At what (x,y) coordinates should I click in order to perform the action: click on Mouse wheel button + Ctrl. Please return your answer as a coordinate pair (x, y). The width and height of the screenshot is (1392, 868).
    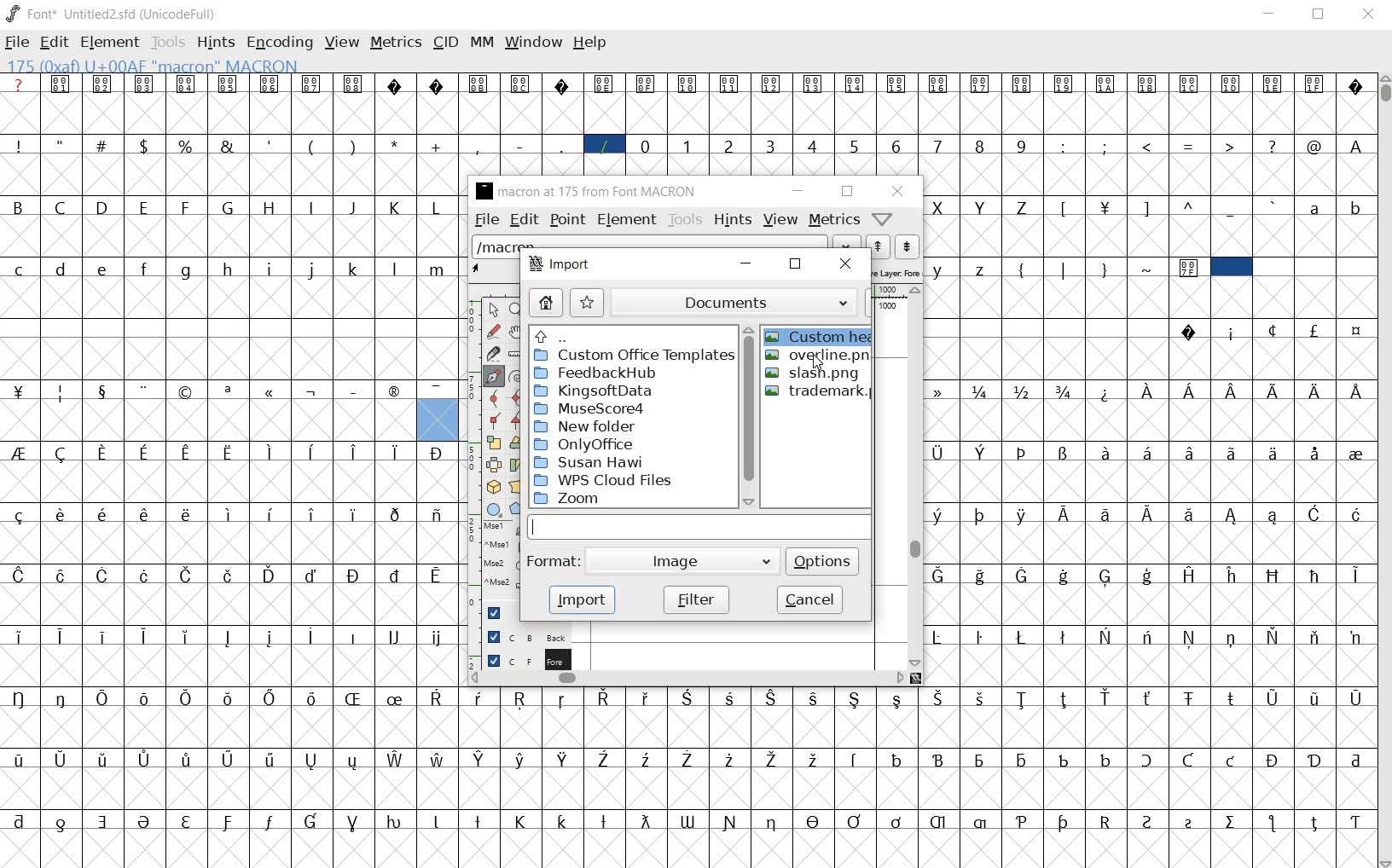
    Looking at the image, I should click on (502, 584).